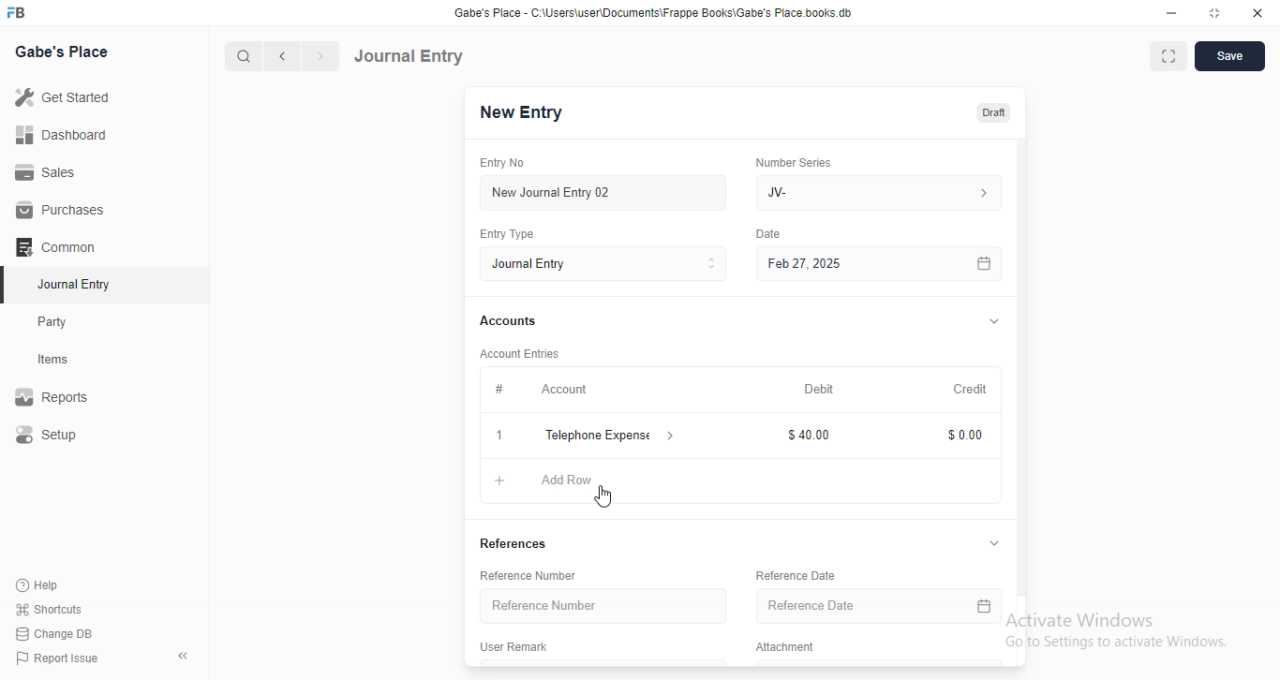  I want to click on ‘Reference Date, so click(788, 576).